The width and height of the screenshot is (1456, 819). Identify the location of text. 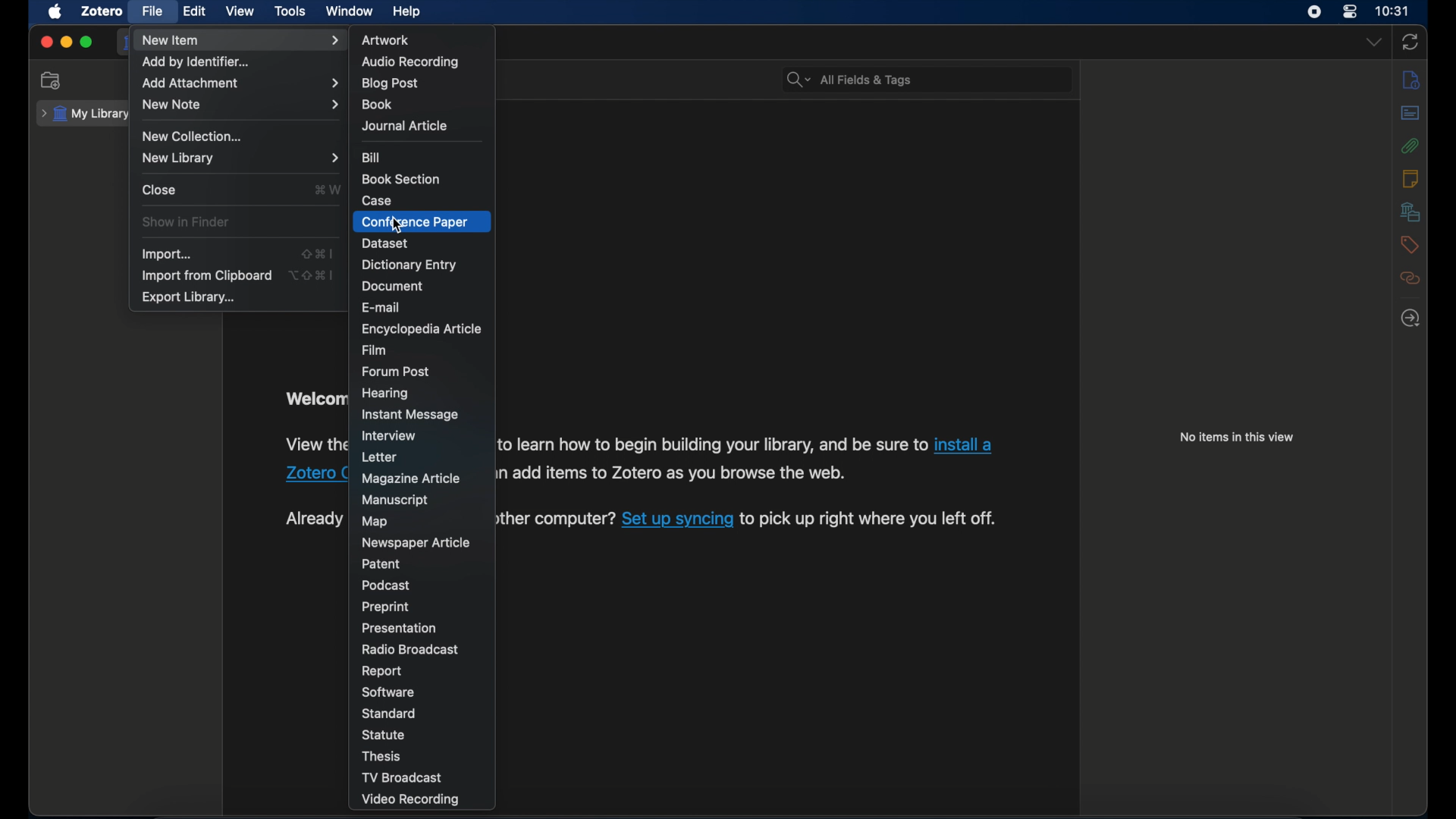
(712, 444).